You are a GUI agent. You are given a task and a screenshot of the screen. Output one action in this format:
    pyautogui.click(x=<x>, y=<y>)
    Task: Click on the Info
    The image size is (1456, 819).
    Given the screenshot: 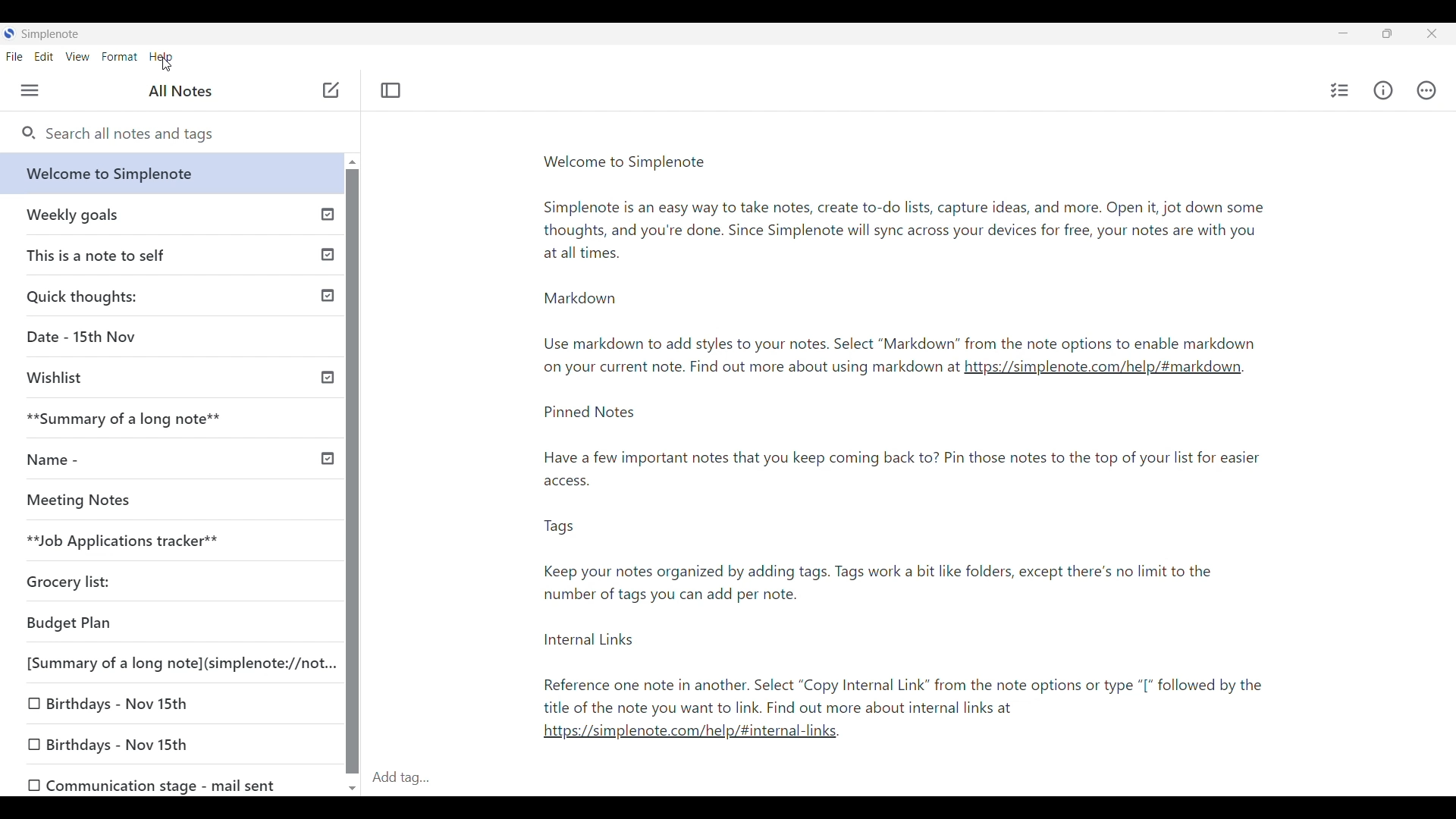 What is the action you would take?
    pyautogui.click(x=1384, y=90)
    